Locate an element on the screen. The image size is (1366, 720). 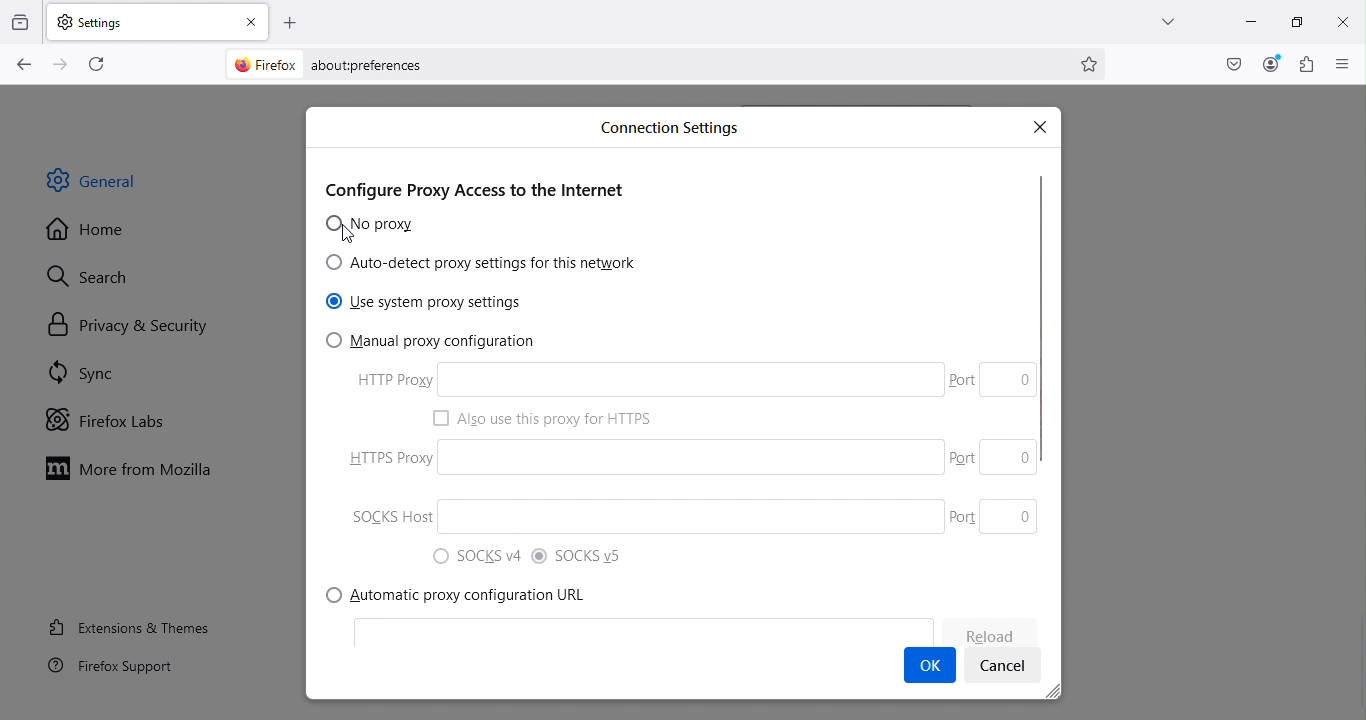
close is located at coordinates (1339, 20).